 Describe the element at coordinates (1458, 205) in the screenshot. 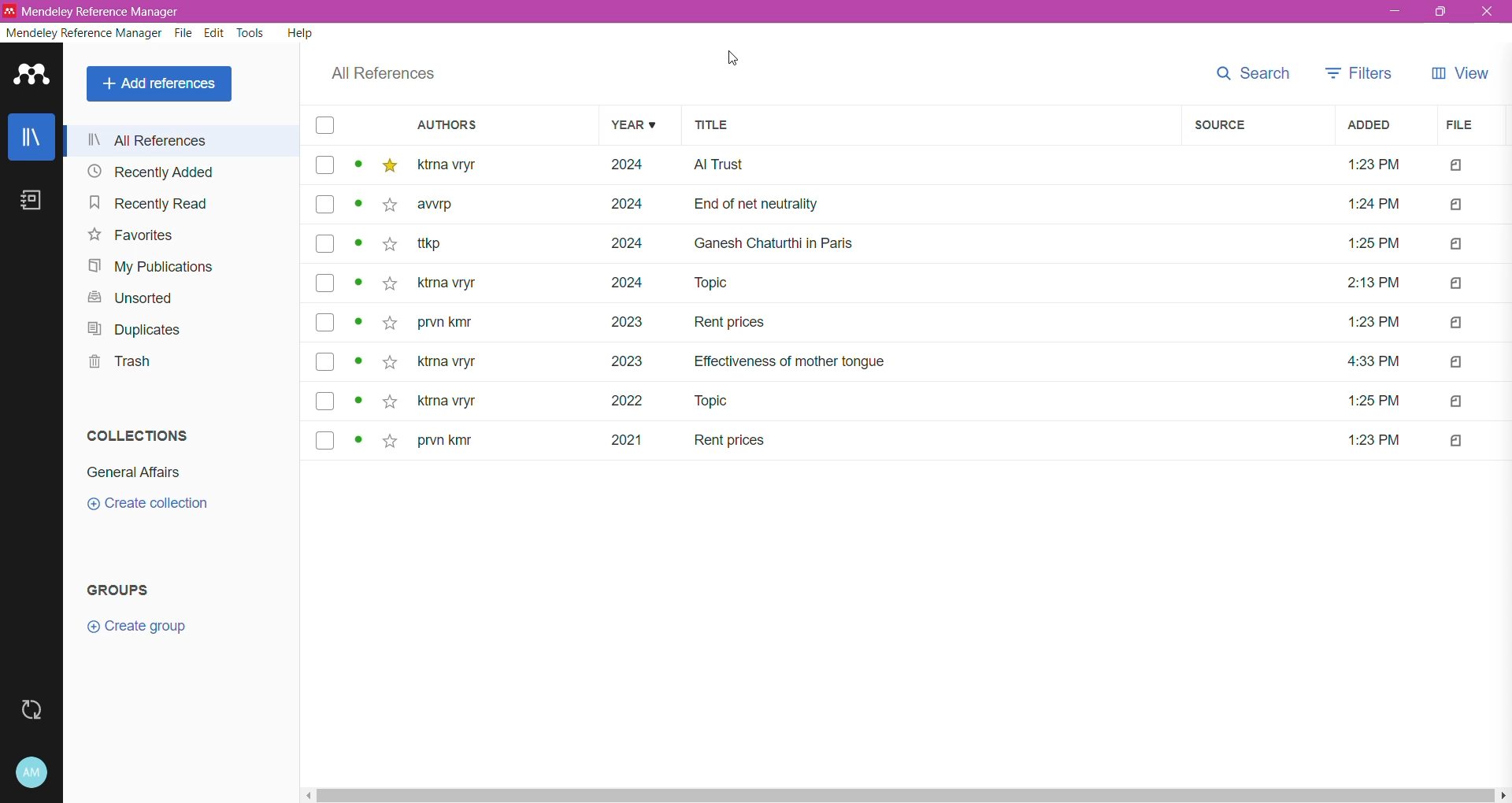

I see `file type` at that location.